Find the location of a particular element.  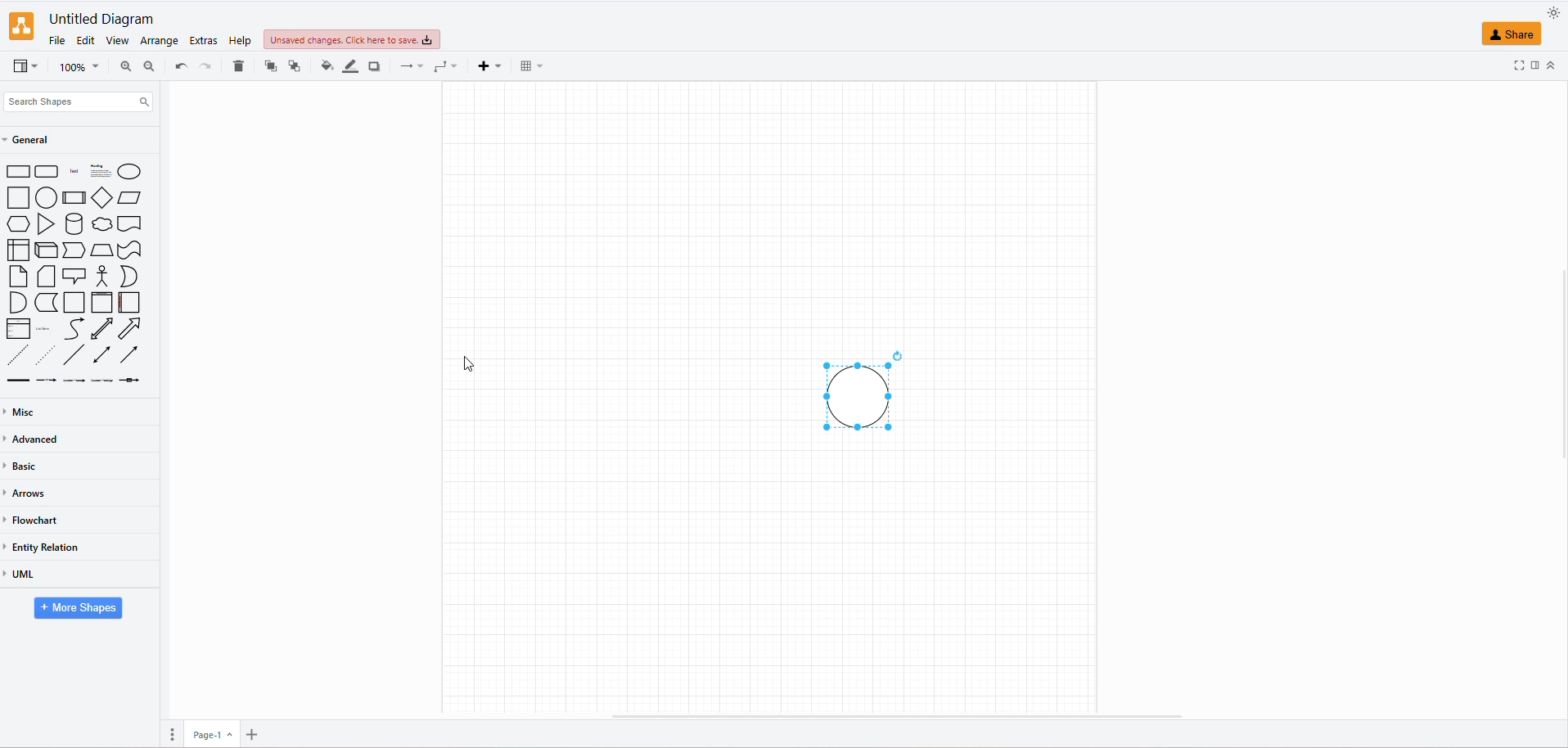

LINE is located at coordinates (70, 354).